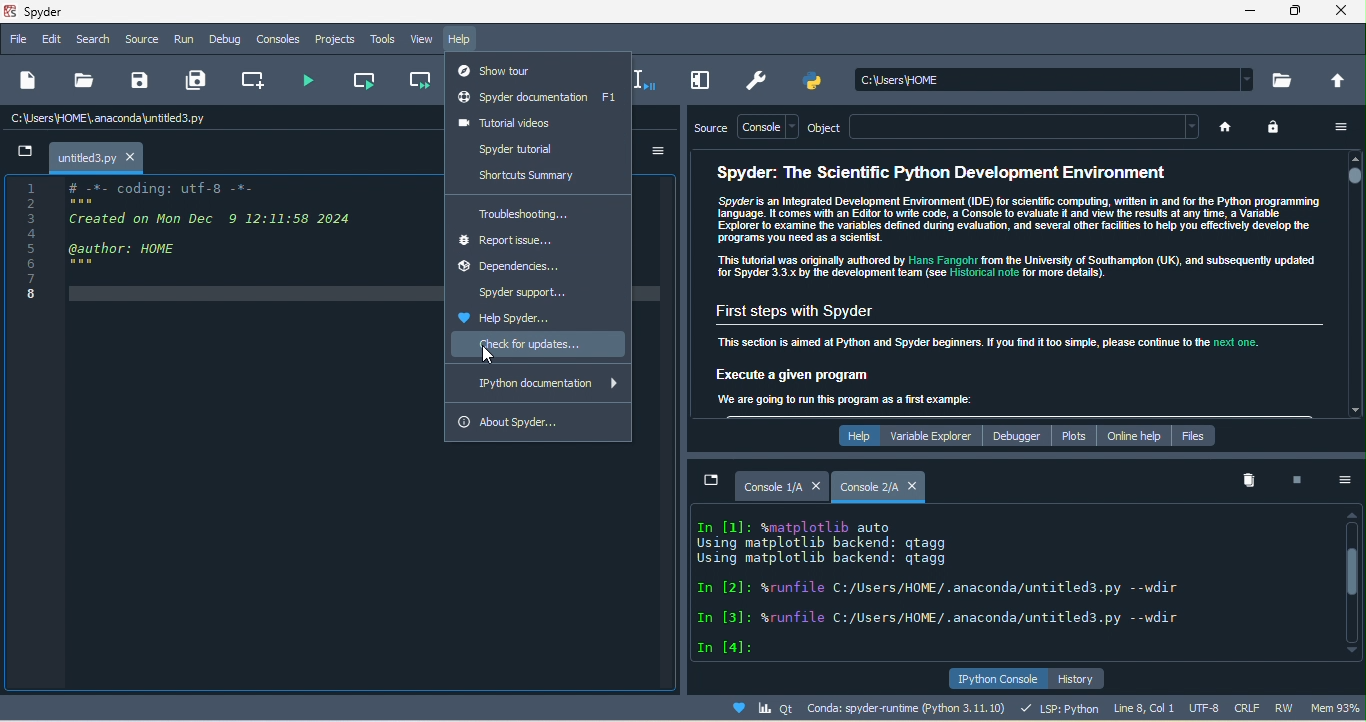 This screenshot has width=1366, height=722. I want to click on open, so click(82, 84).